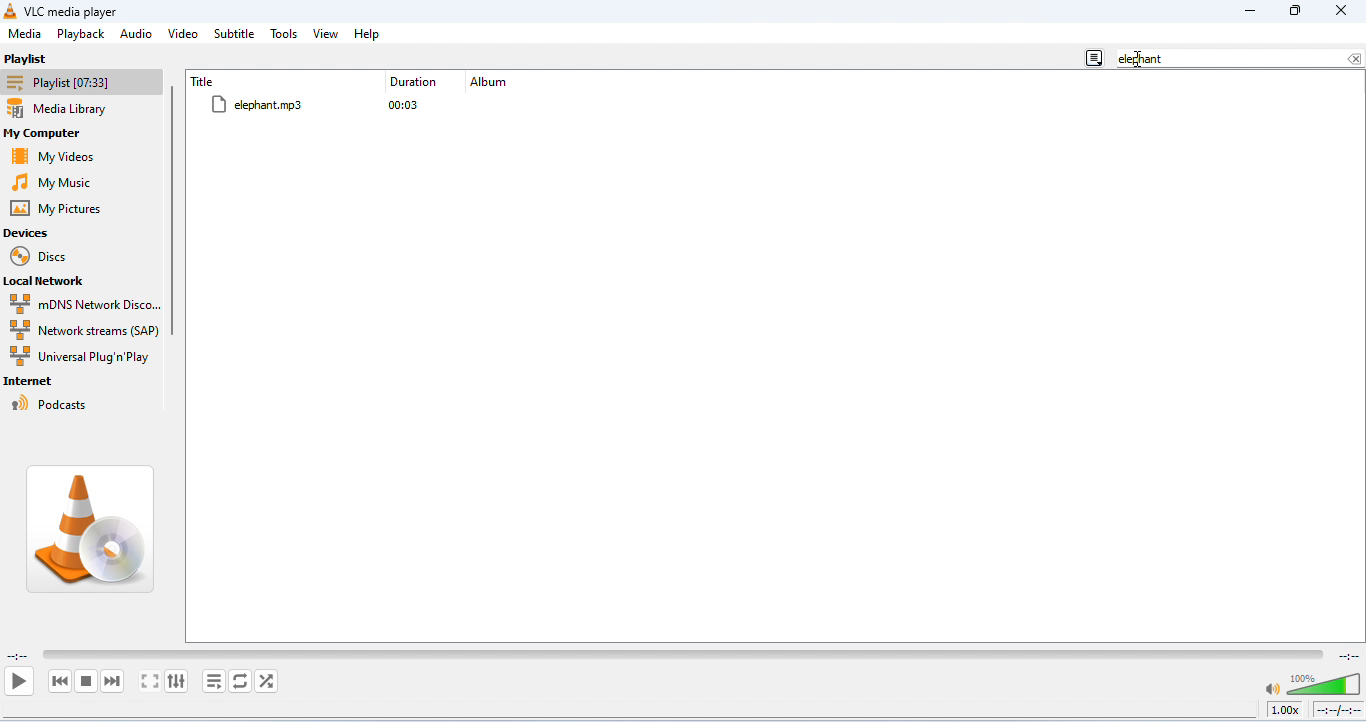 The image size is (1366, 722). I want to click on help, so click(368, 34).